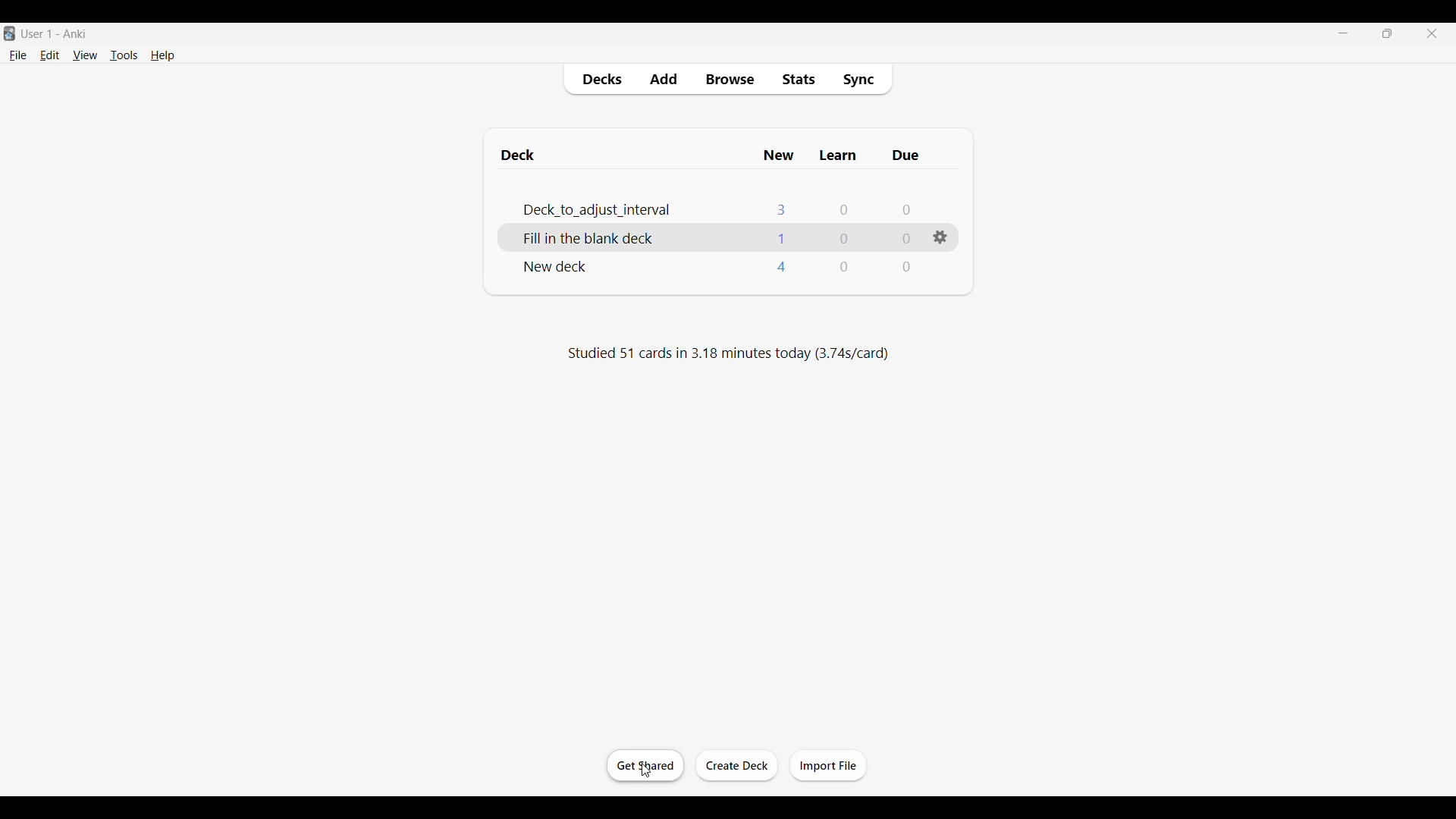 The height and width of the screenshot is (819, 1456). Describe the element at coordinates (780, 238) in the screenshot. I see `al` at that location.